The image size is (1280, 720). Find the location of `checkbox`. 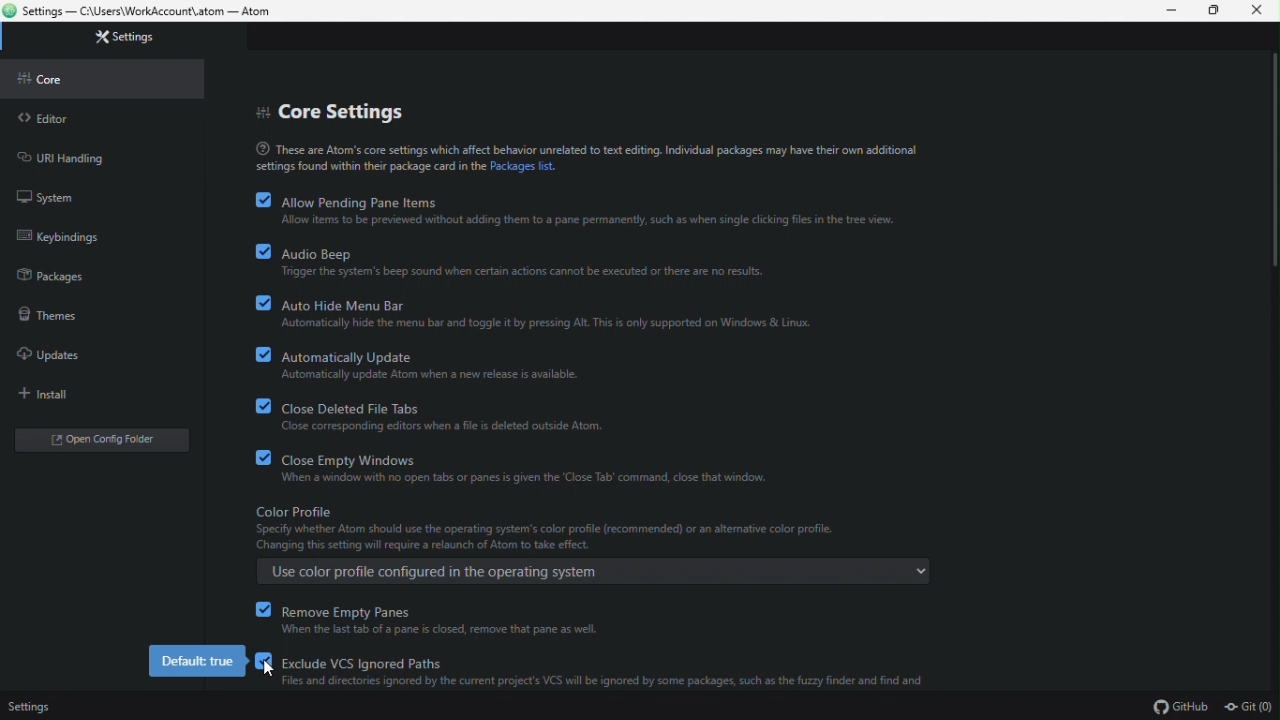

checkbox is located at coordinates (253, 304).